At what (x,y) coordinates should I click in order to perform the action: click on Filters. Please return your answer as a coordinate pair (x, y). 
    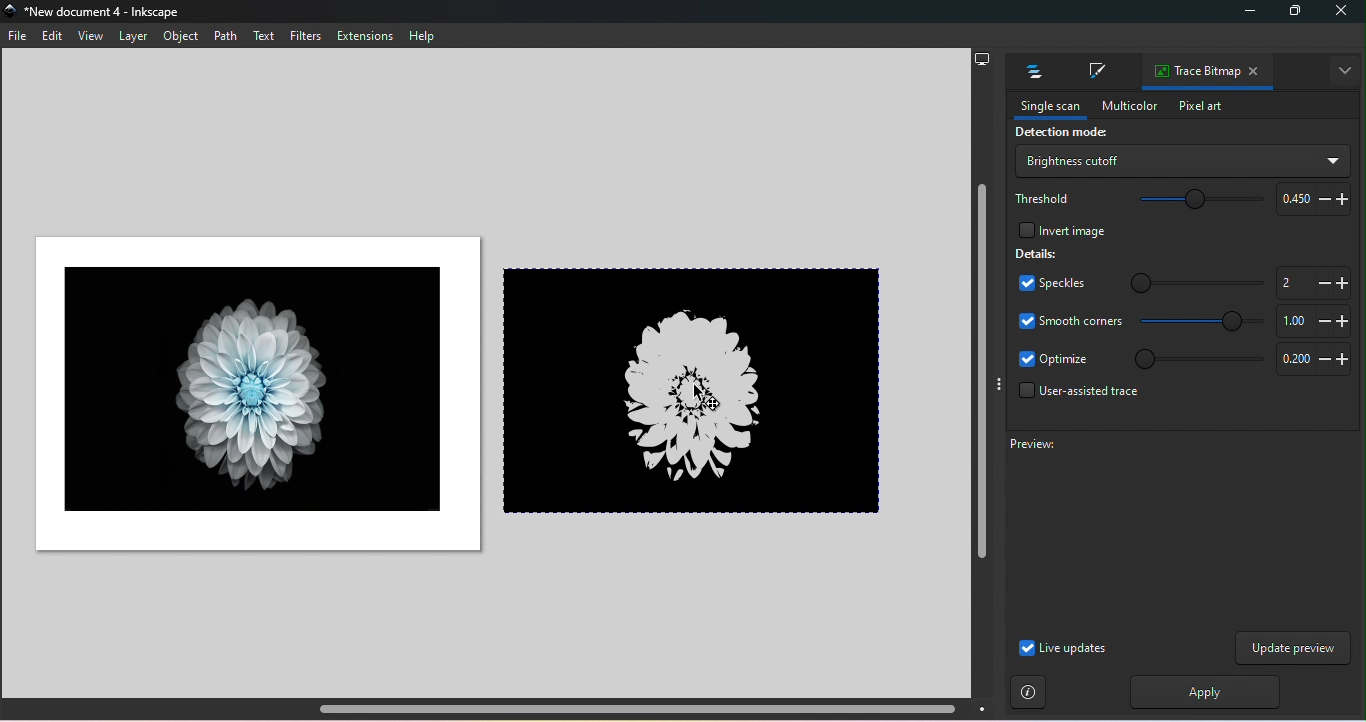
    Looking at the image, I should click on (304, 35).